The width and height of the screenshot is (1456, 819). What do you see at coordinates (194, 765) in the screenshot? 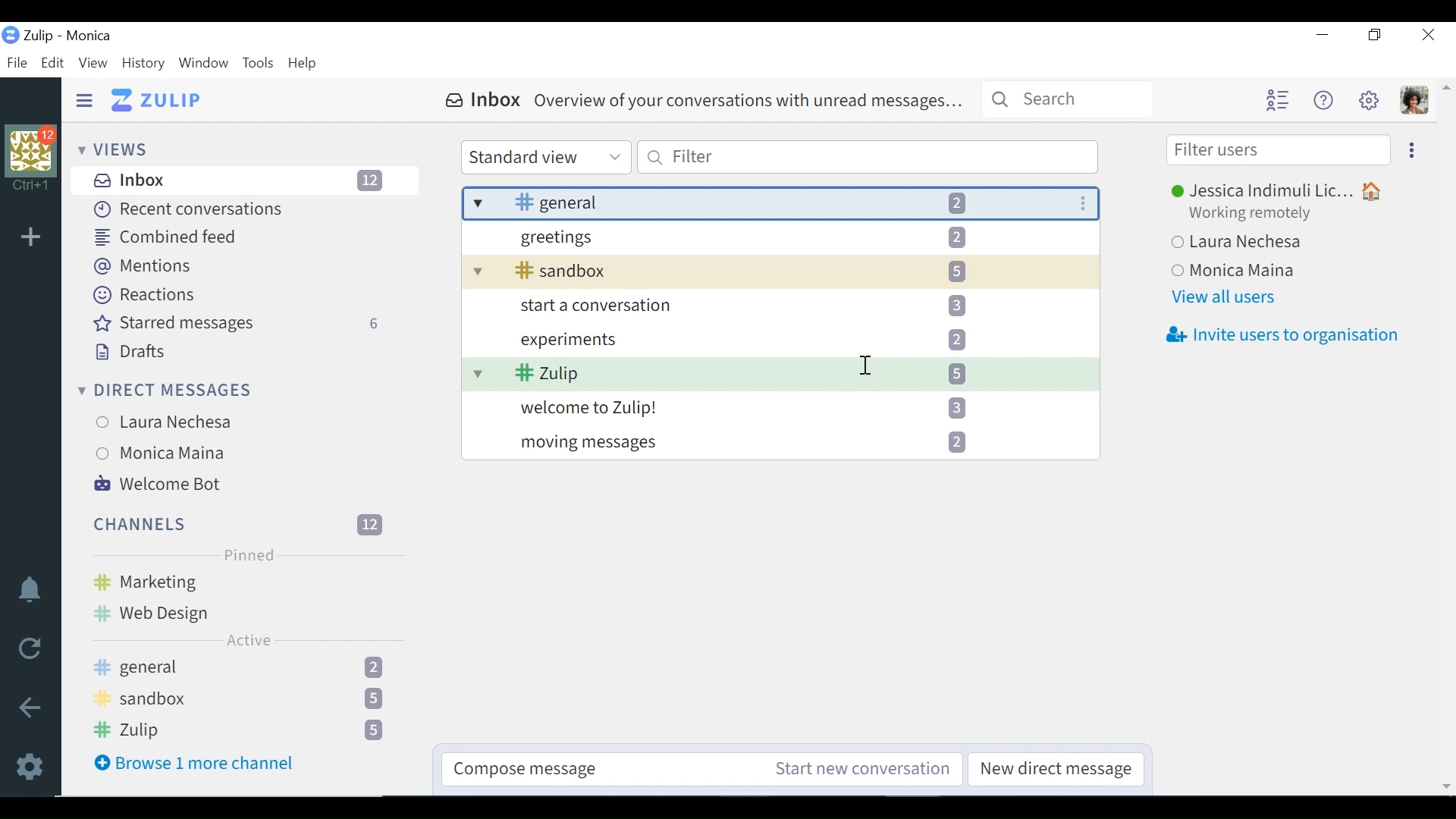
I see `Browse more channel` at bounding box center [194, 765].